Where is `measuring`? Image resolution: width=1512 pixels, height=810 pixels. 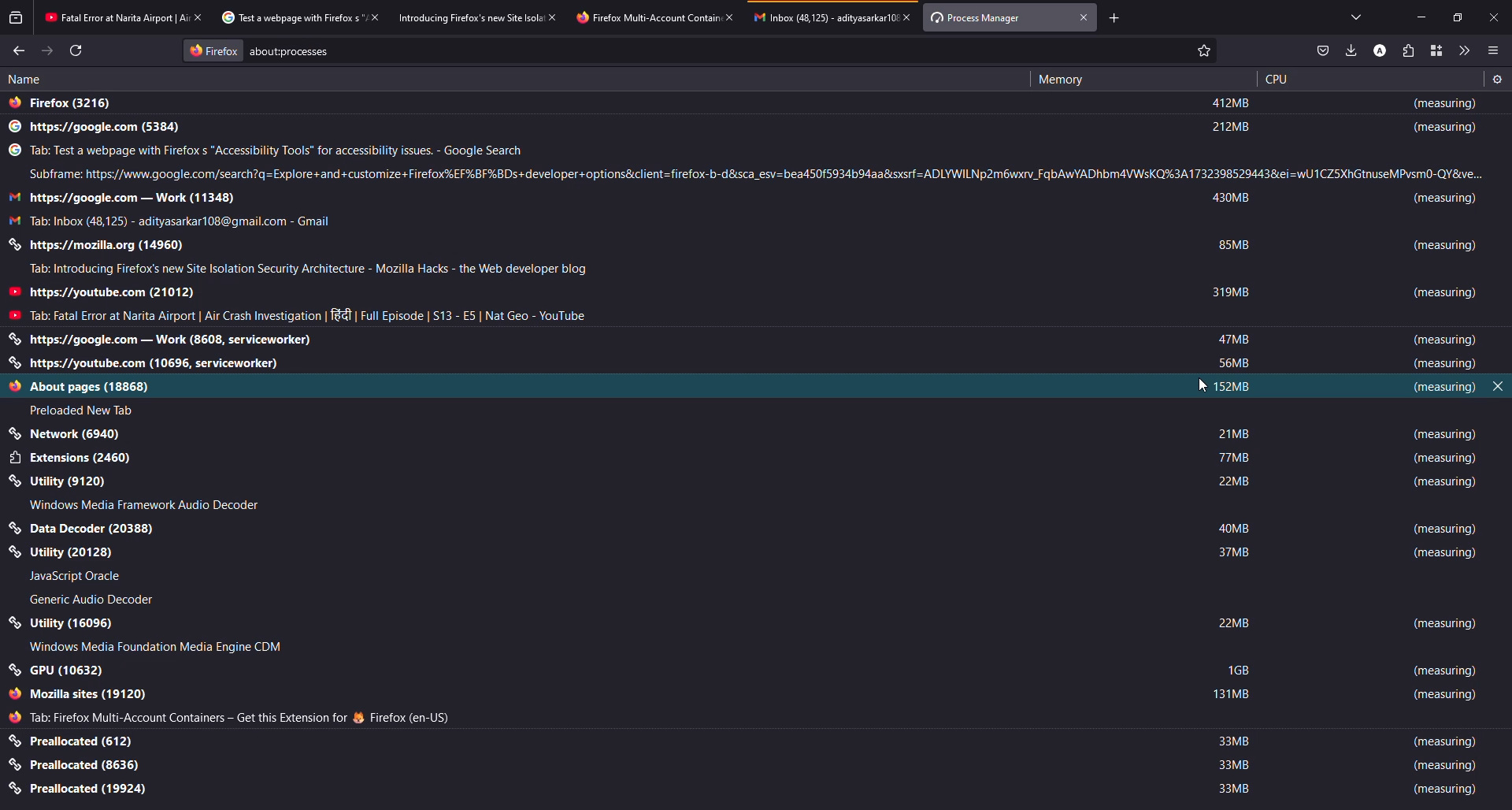 measuring is located at coordinates (1436, 387).